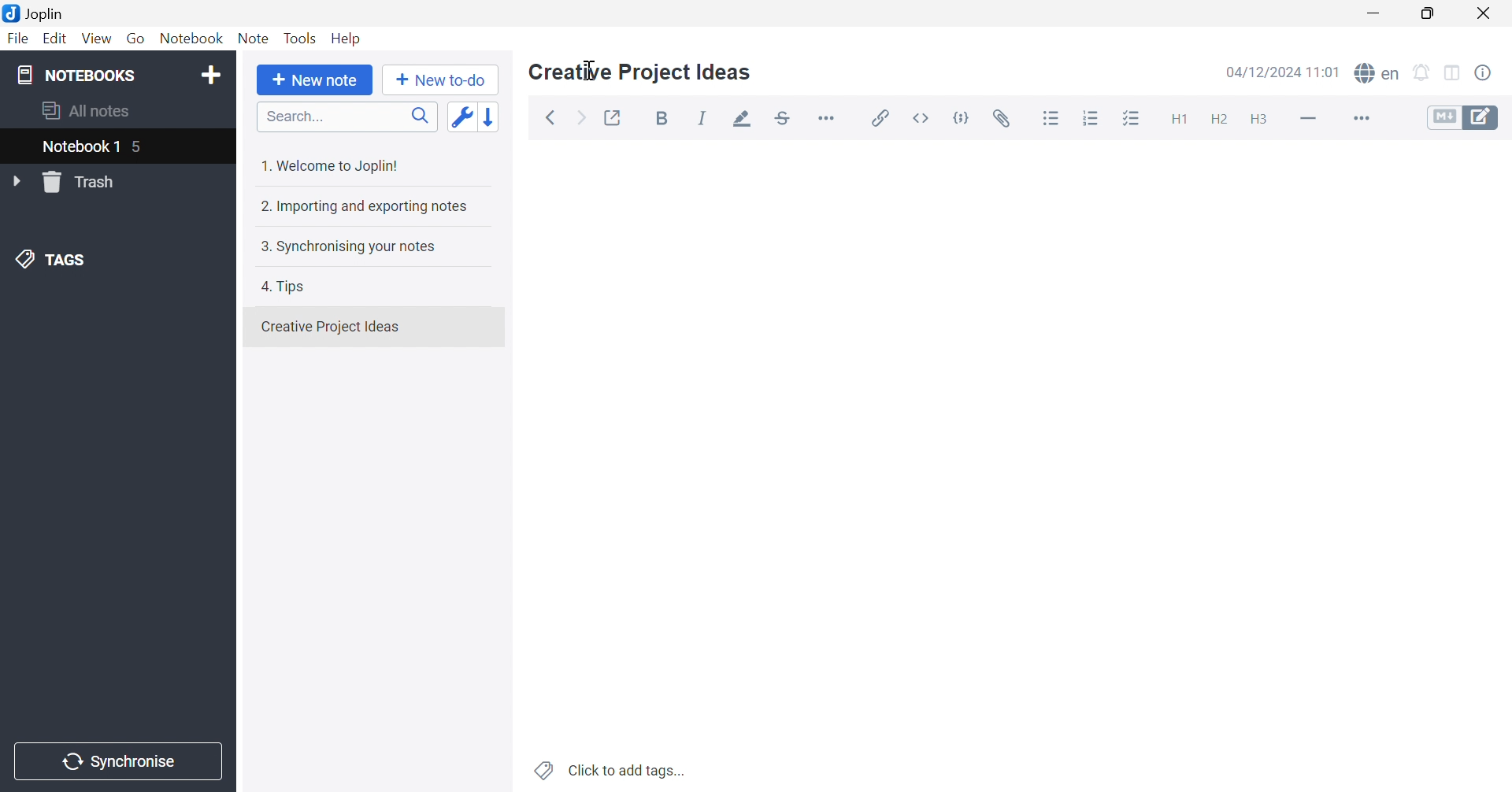  What do you see at coordinates (1280, 72) in the screenshot?
I see `04/12/2024` at bounding box center [1280, 72].